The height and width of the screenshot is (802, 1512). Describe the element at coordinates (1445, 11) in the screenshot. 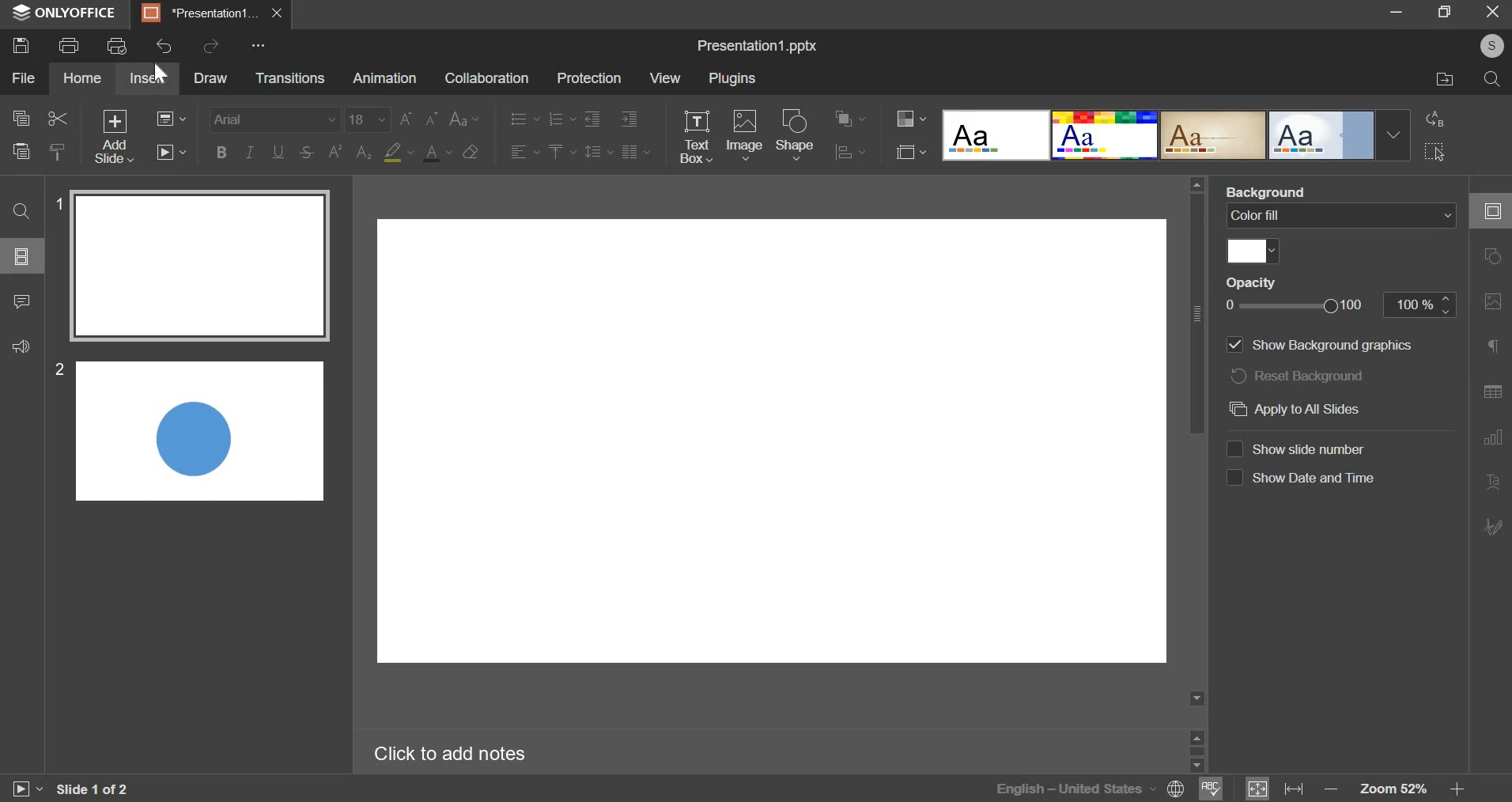

I see `maximize` at that location.